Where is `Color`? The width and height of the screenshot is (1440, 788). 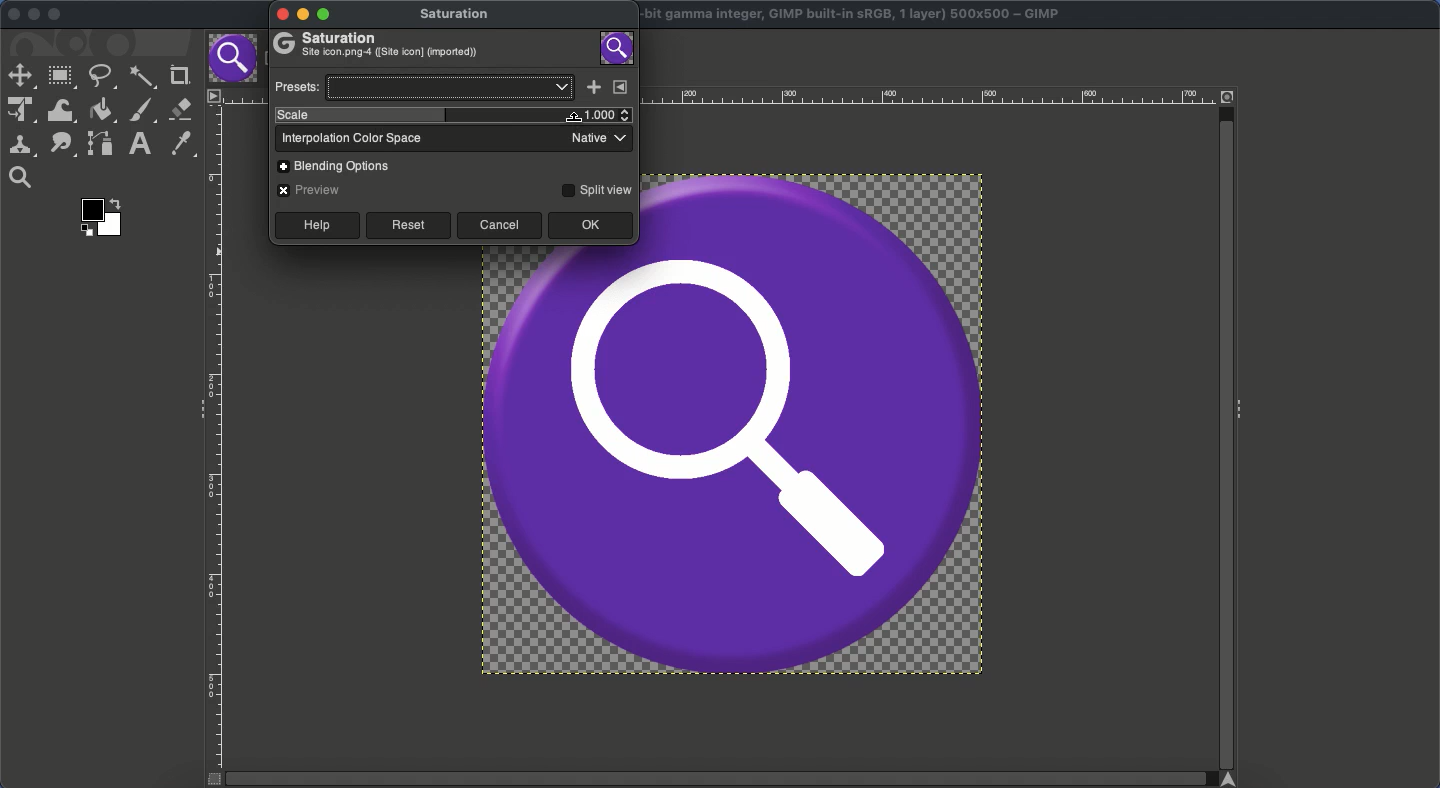 Color is located at coordinates (103, 216).